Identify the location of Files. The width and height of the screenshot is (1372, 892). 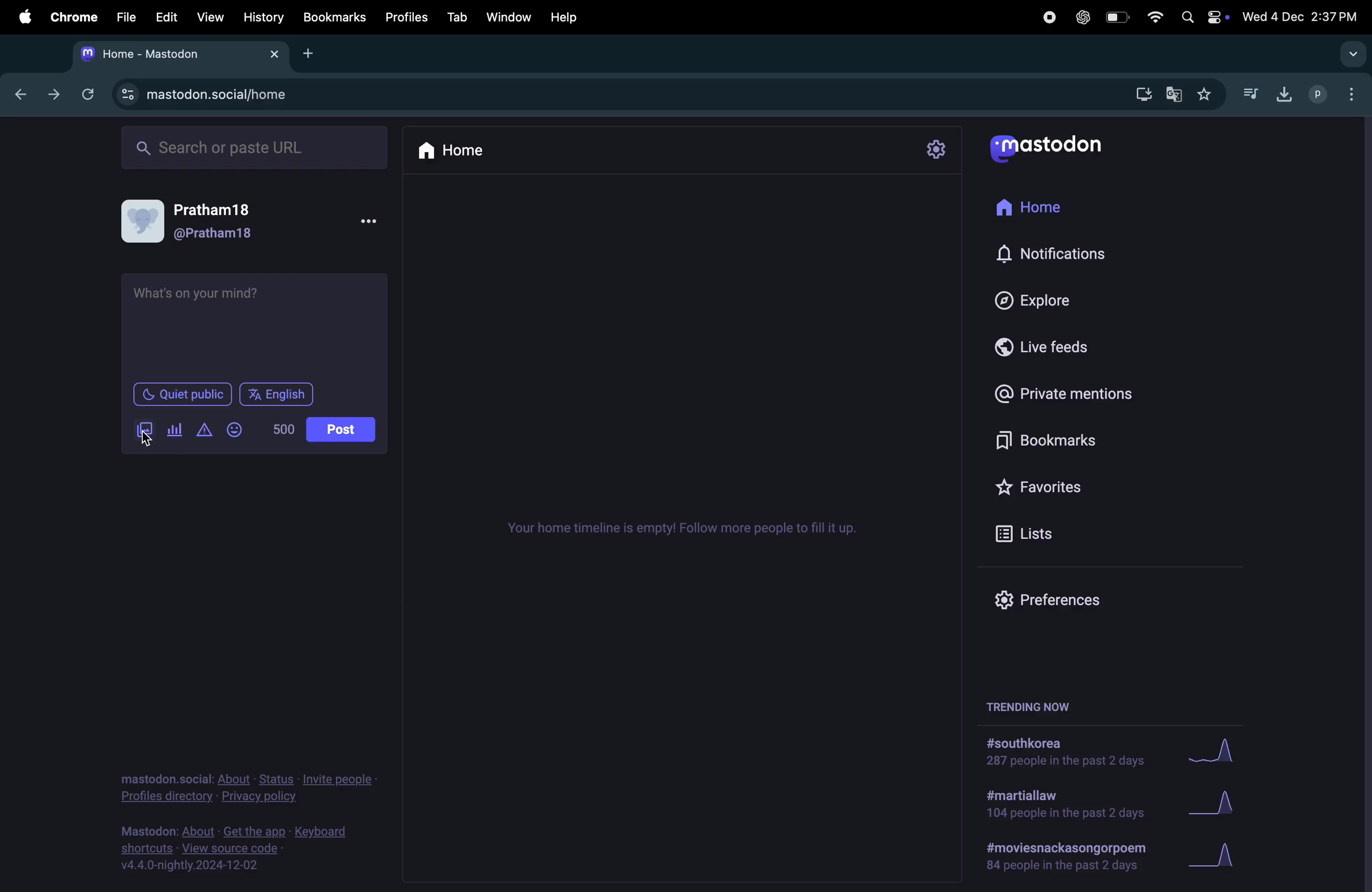
(124, 16).